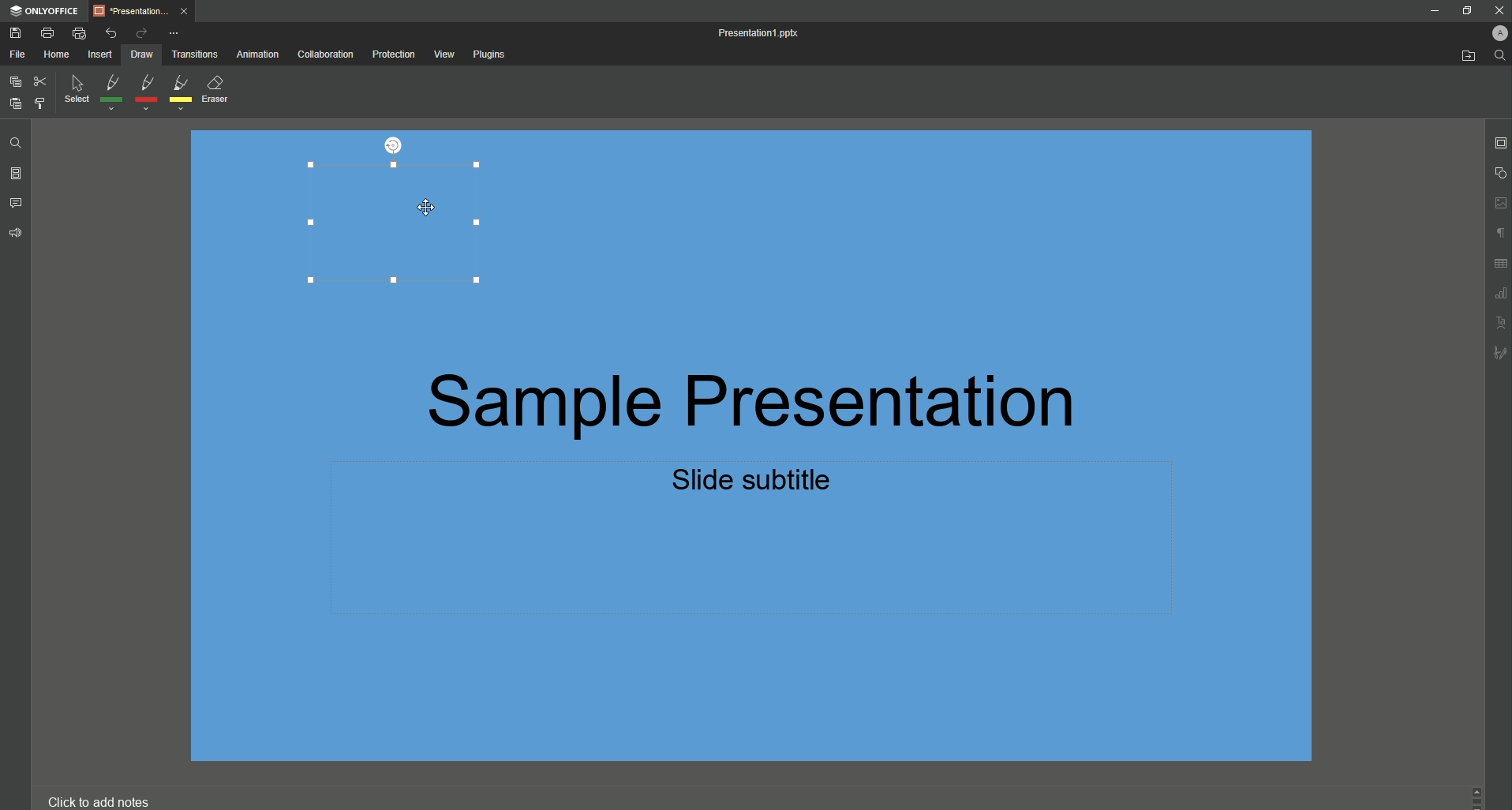 The width and height of the screenshot is (1512, 810). I want to click on Undo, so click(111, 31).